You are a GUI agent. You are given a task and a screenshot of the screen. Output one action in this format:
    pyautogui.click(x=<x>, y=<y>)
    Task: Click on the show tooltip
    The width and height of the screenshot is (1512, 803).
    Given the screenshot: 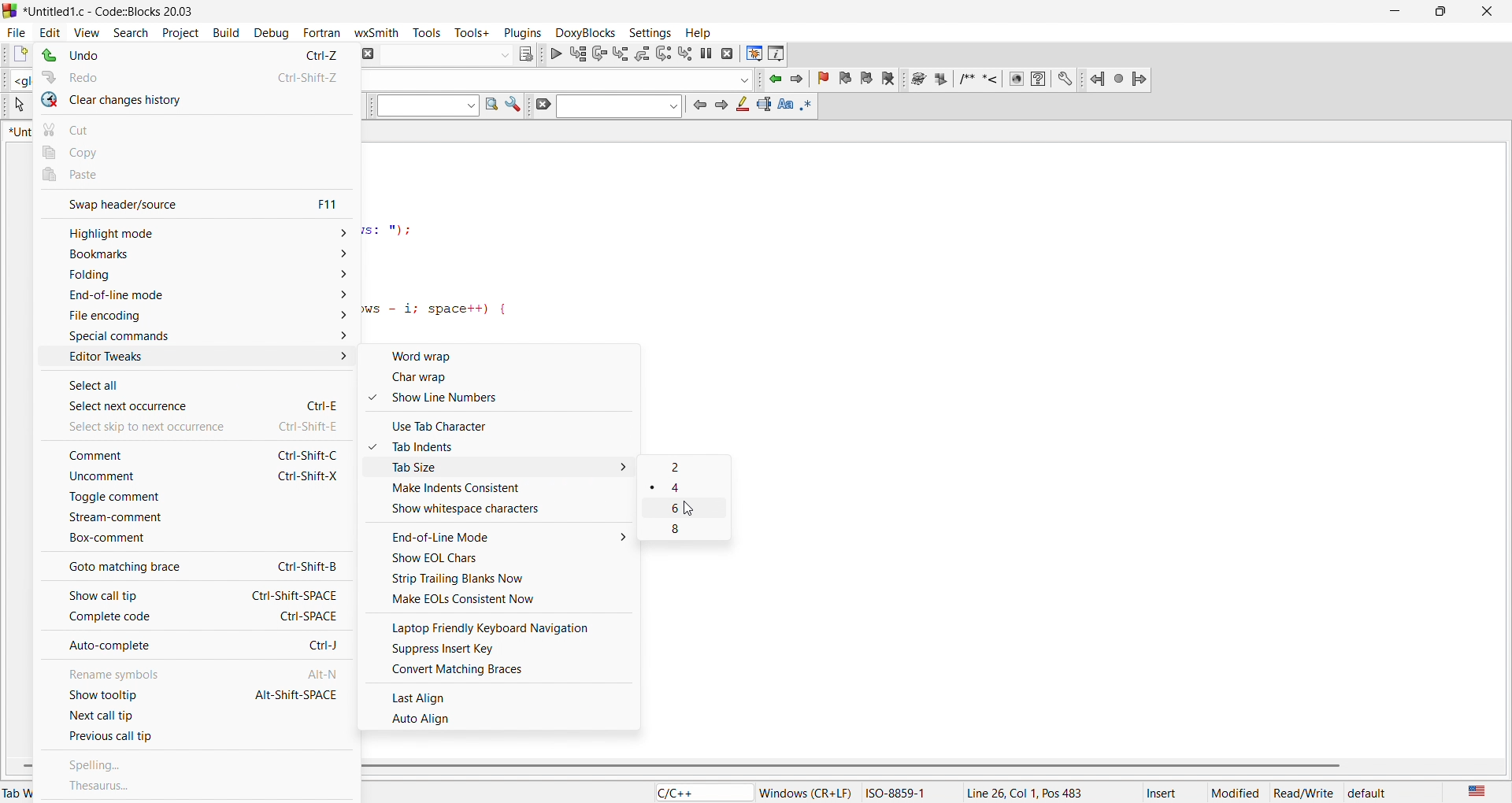 What is the action you would take?
    pyautogui.click(x=127, y=696)
    